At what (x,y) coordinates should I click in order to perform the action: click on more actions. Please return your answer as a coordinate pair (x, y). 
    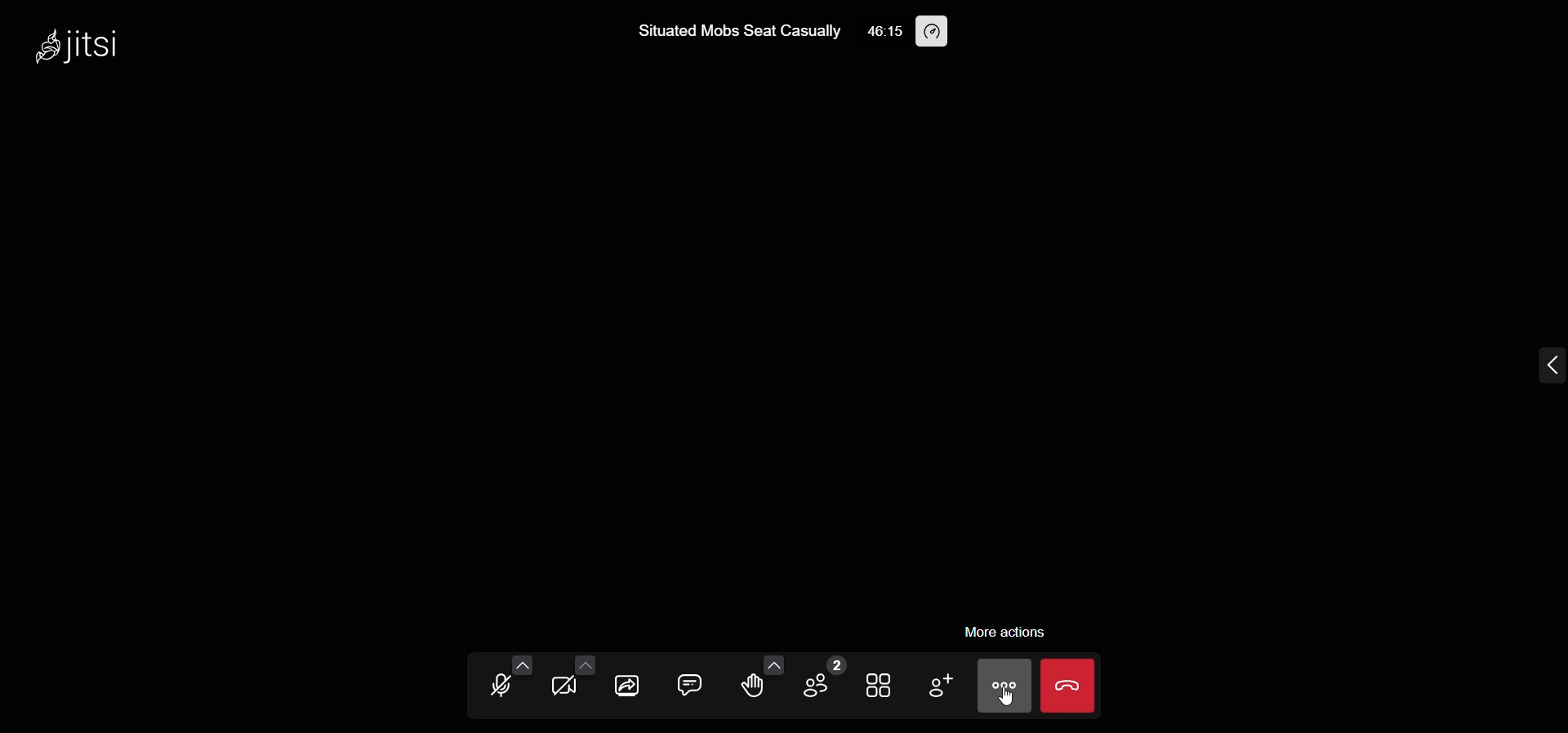
    Looking at the image, I should click on (1009, 632).